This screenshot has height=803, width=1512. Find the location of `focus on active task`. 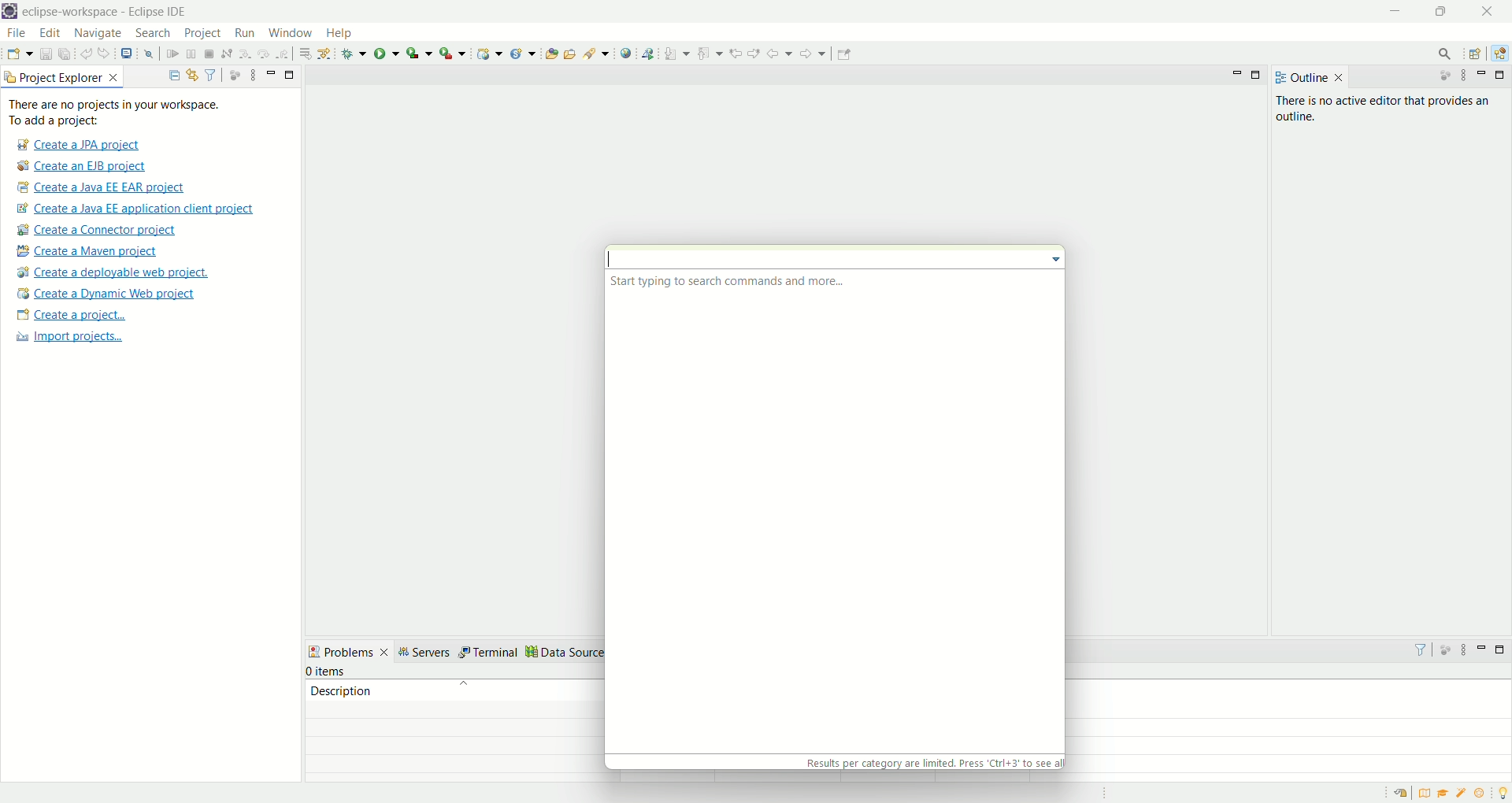

focus on active task is located at coordinates (1443, 74).